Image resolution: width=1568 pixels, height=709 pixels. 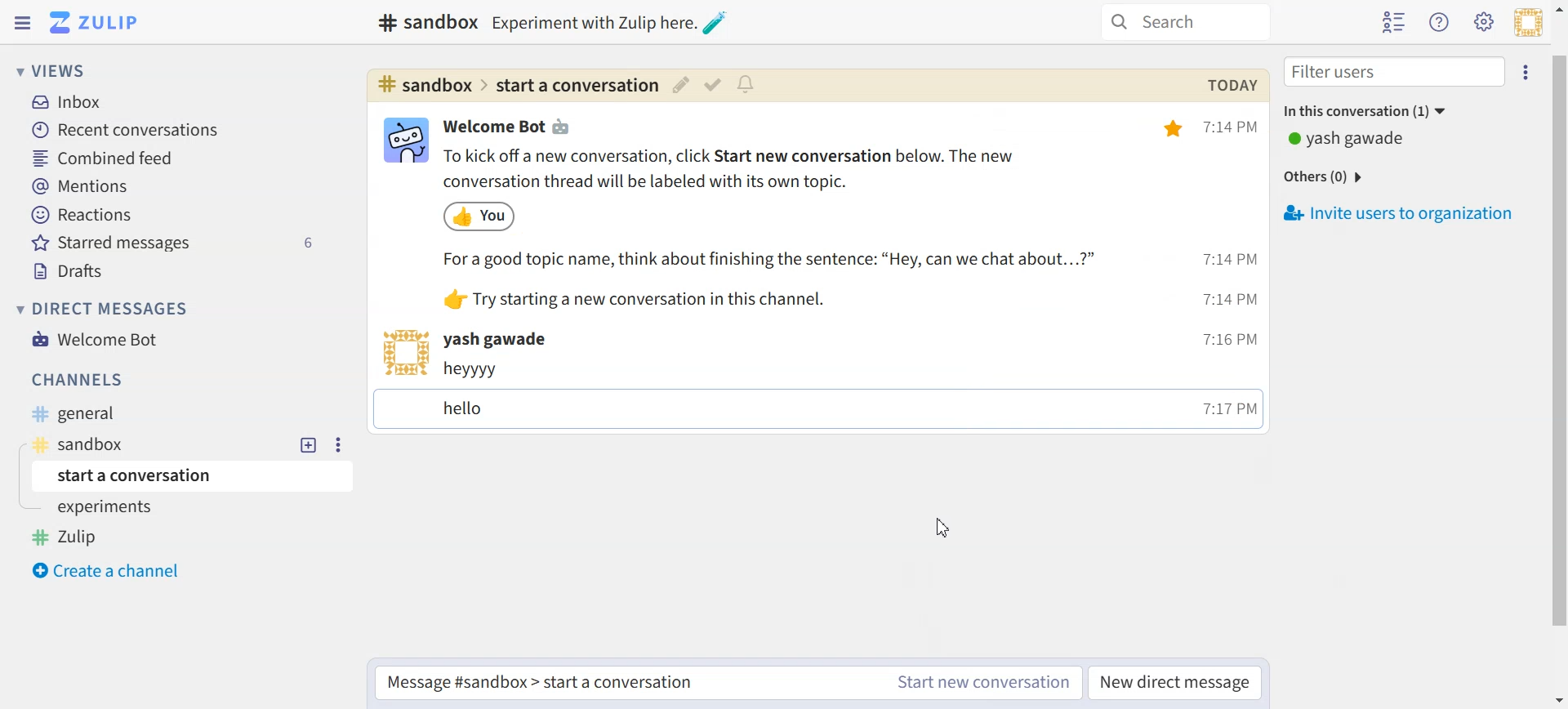 I want to click on New topic, so click(x=310, y=445).